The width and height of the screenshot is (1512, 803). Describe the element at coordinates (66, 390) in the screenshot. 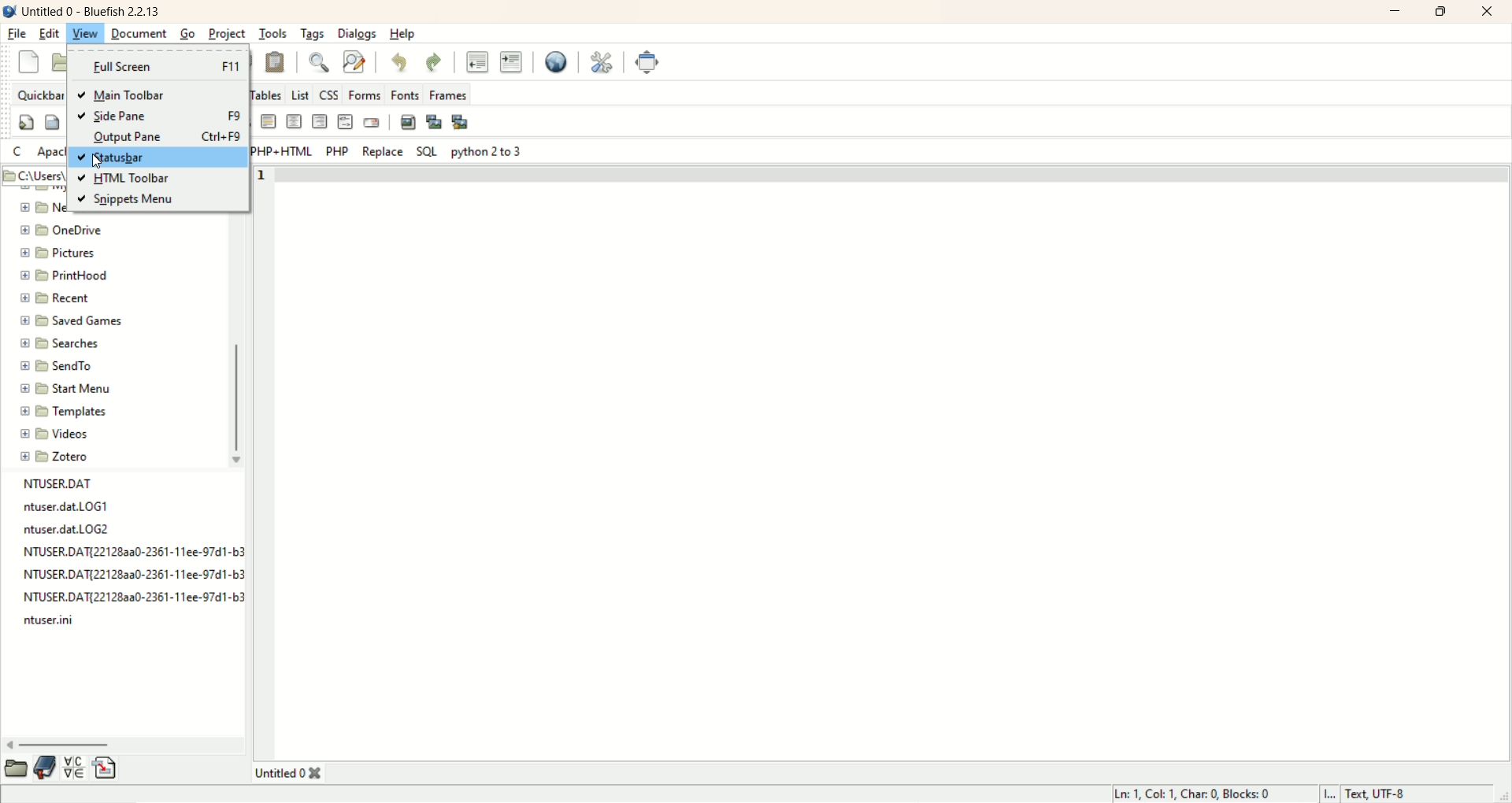

I see `start menu` at that location.